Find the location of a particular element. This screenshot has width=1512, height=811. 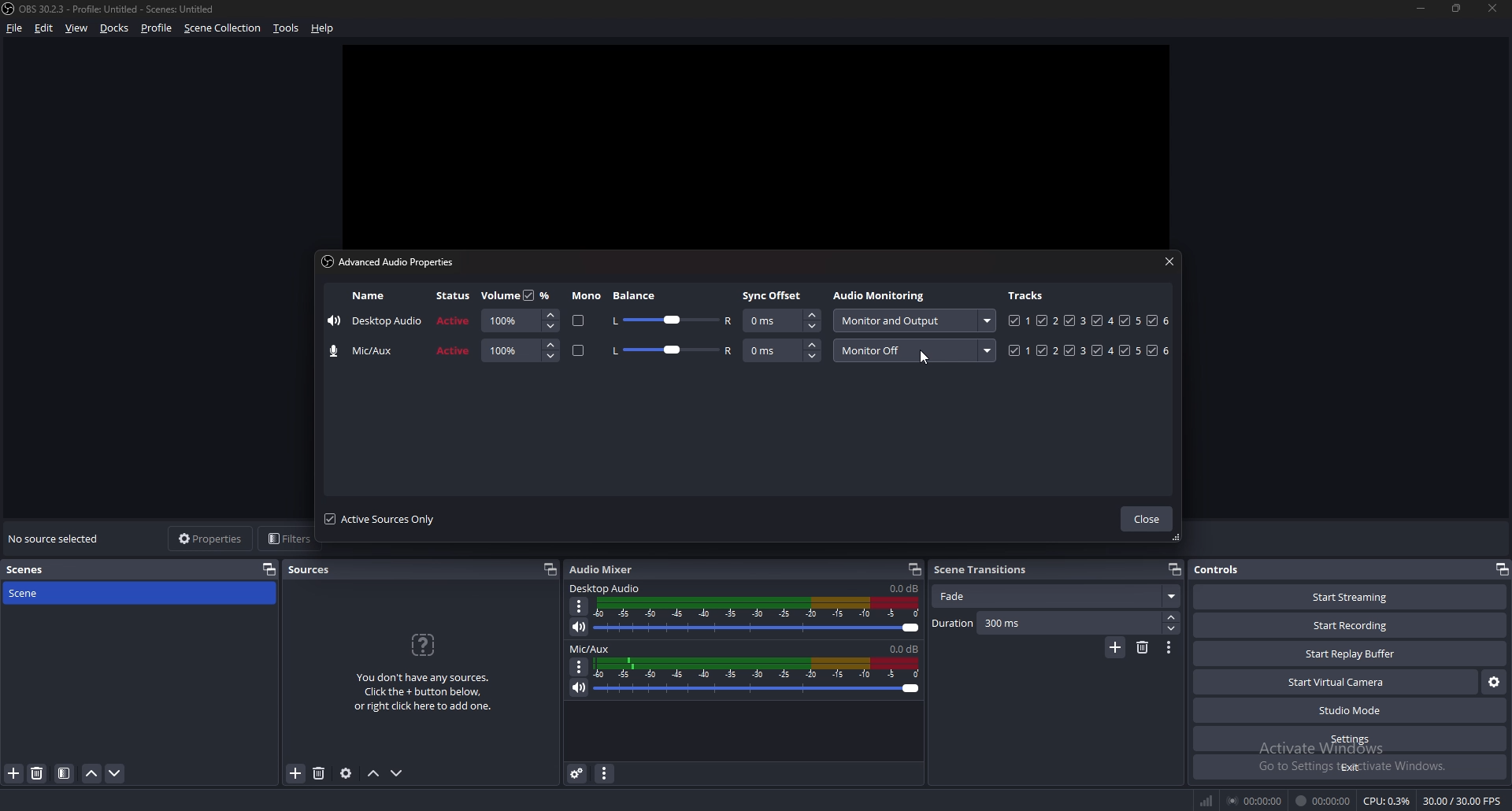

remove filter is located at coordinates (38, 773).